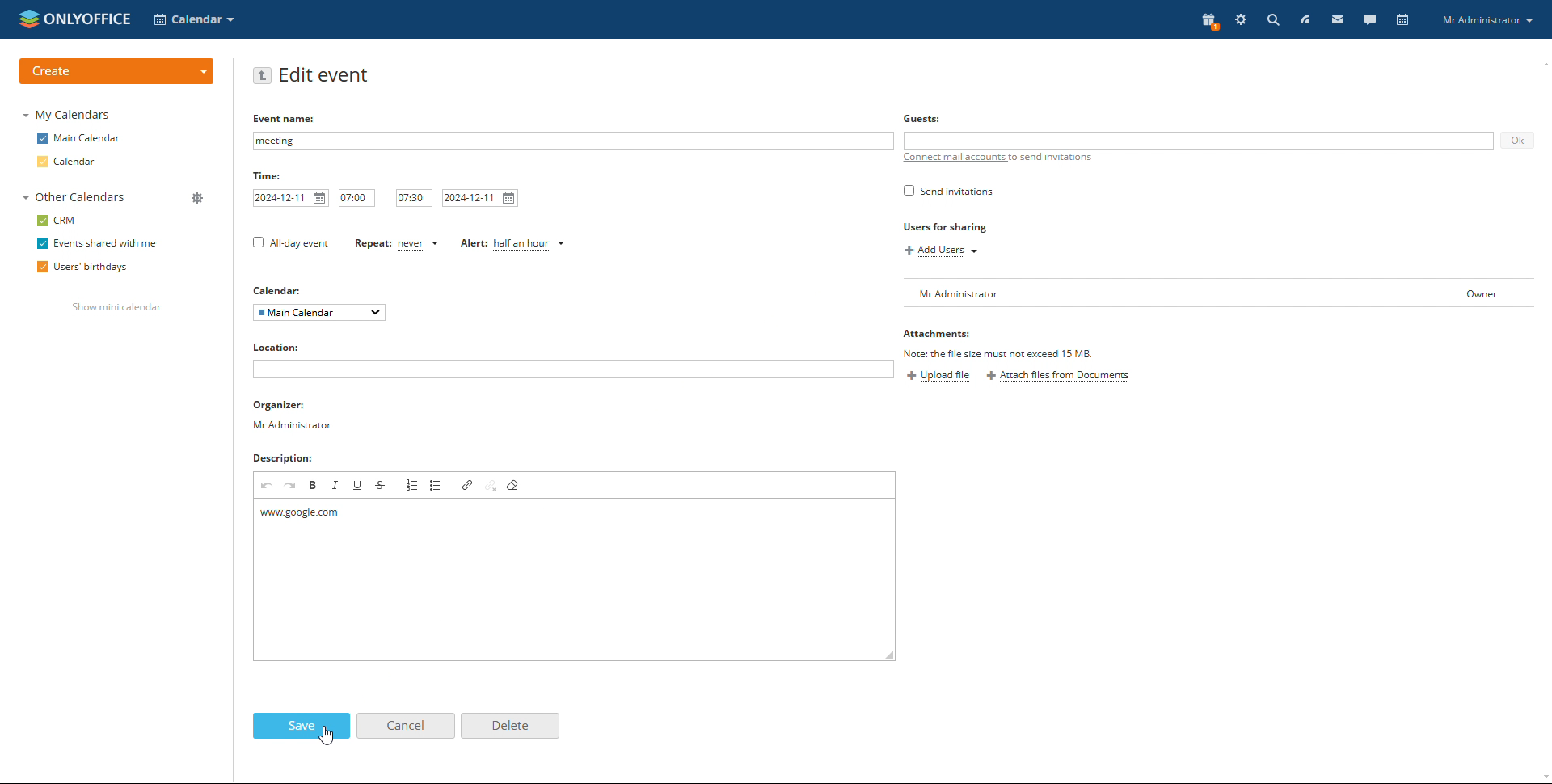  What do you see at coordinates (1404, 20) in the screenshot?
I see `calendar` at bounding box center [1404, 20].